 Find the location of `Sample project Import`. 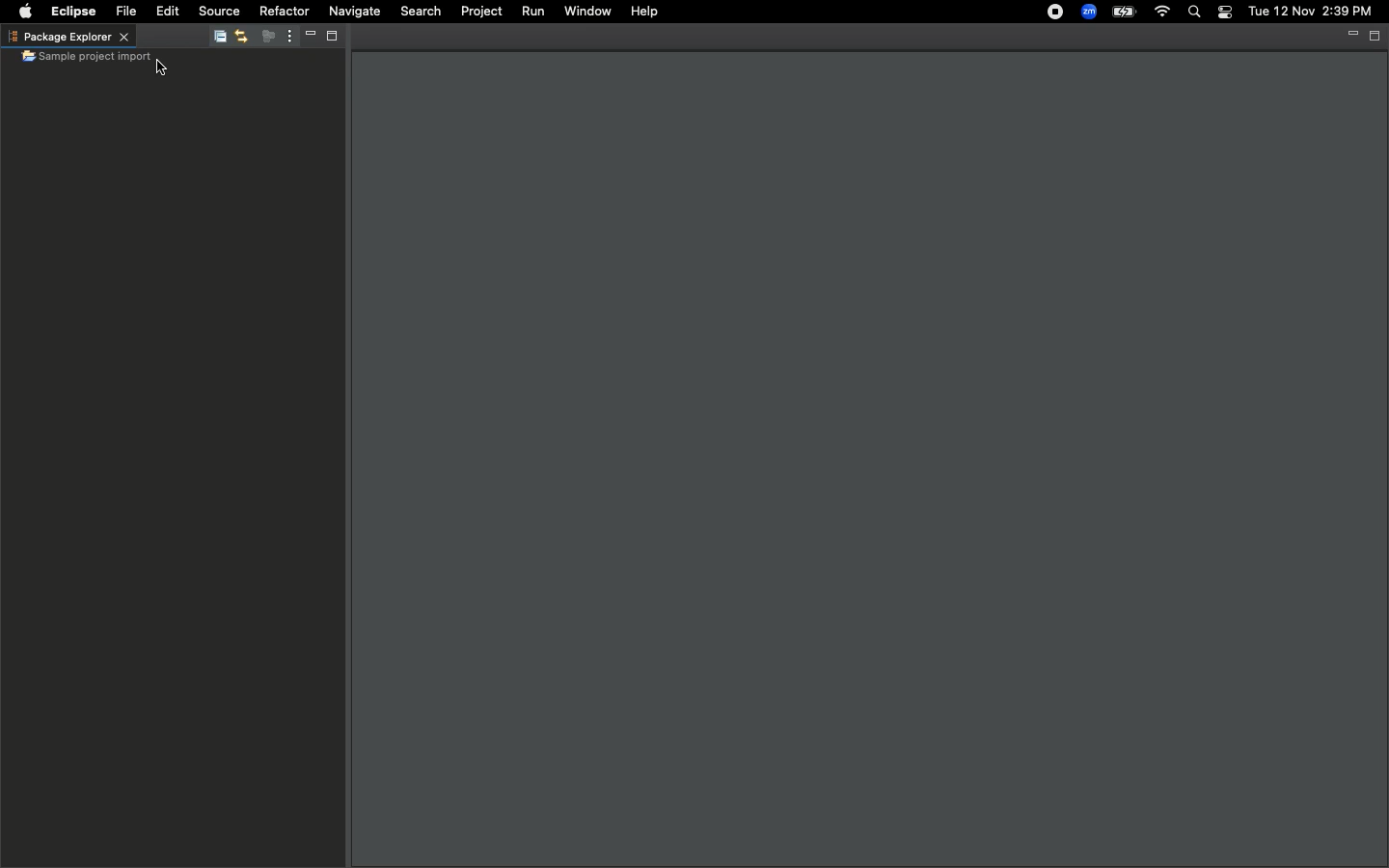

Sample project Import is located at coordinates (87, 58).